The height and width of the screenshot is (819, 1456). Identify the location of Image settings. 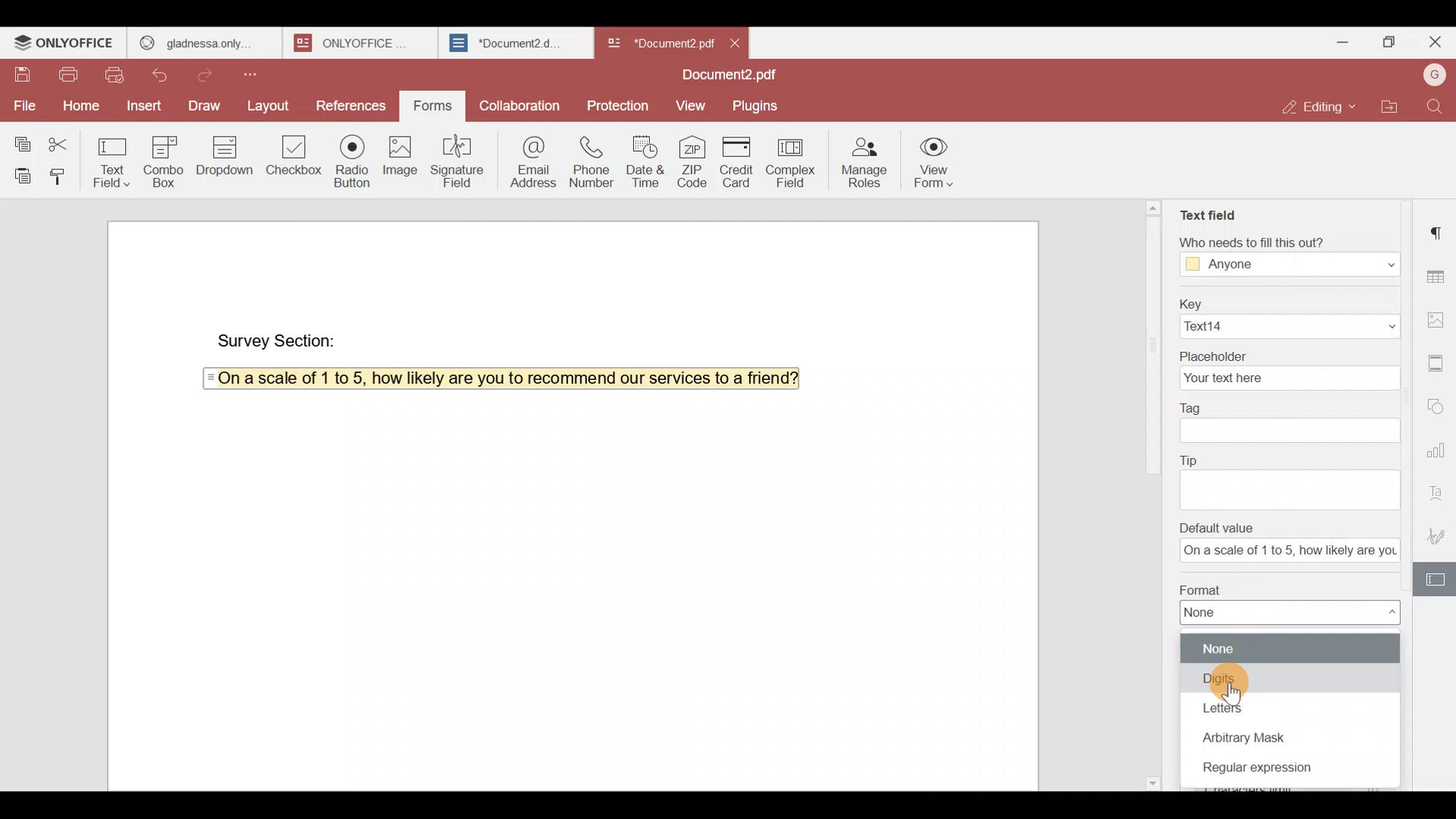
(1438, 315).